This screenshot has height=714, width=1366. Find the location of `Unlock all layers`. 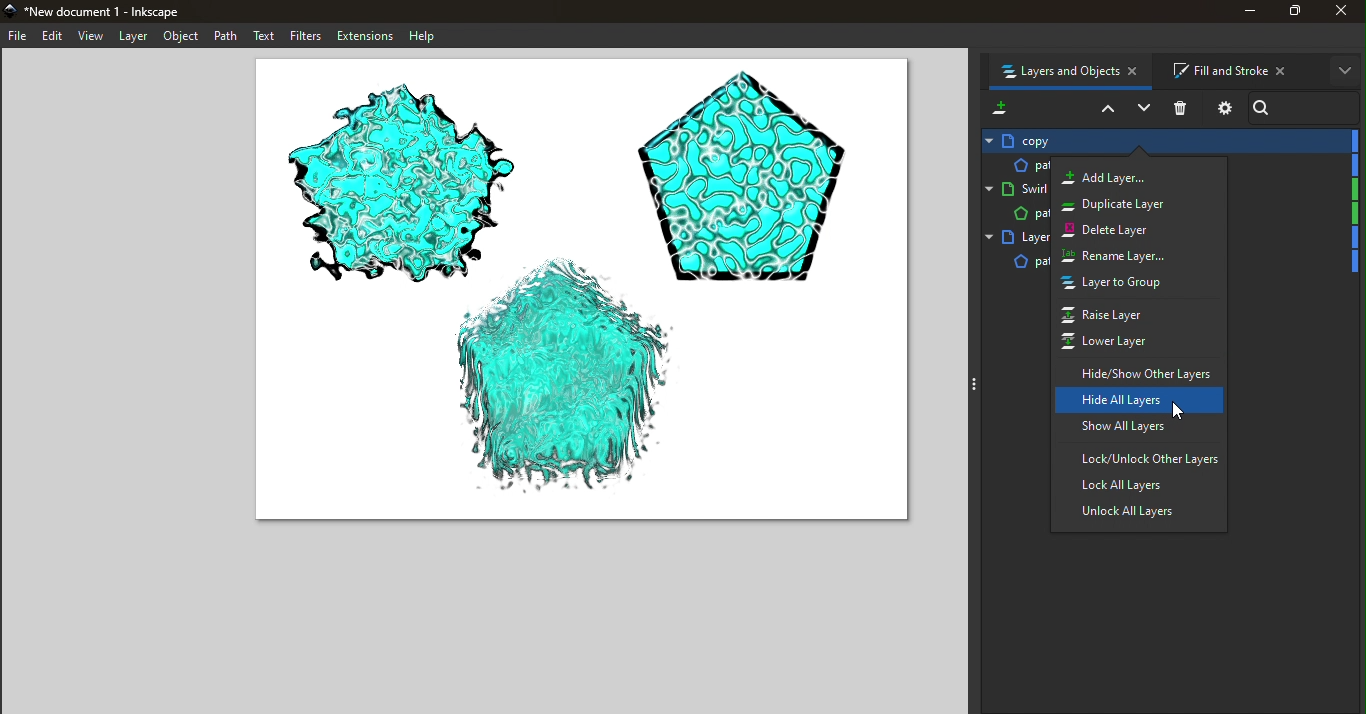

Unlock all layers is located at coordinates (1141, 512).